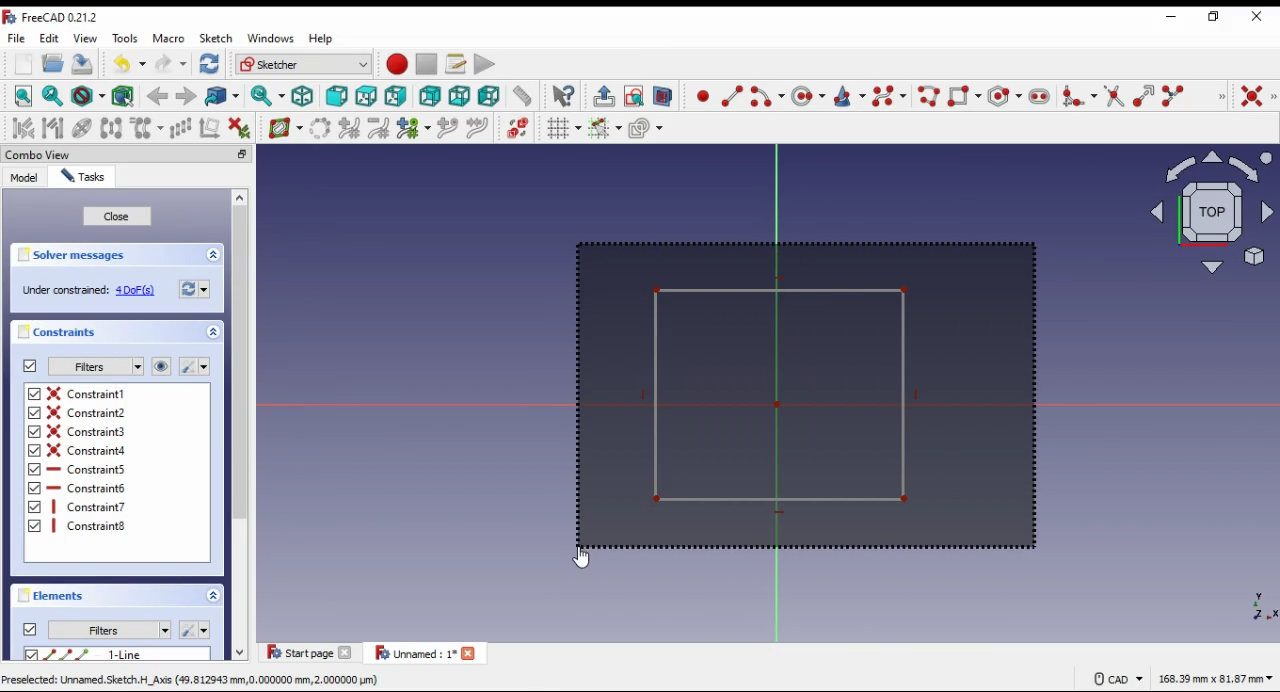 This screenshot has height=692, width=1280. What do you see at coordinates (647, 128) in the screenshot?
I see `configure rendering order` at bounding box center [647, 128].